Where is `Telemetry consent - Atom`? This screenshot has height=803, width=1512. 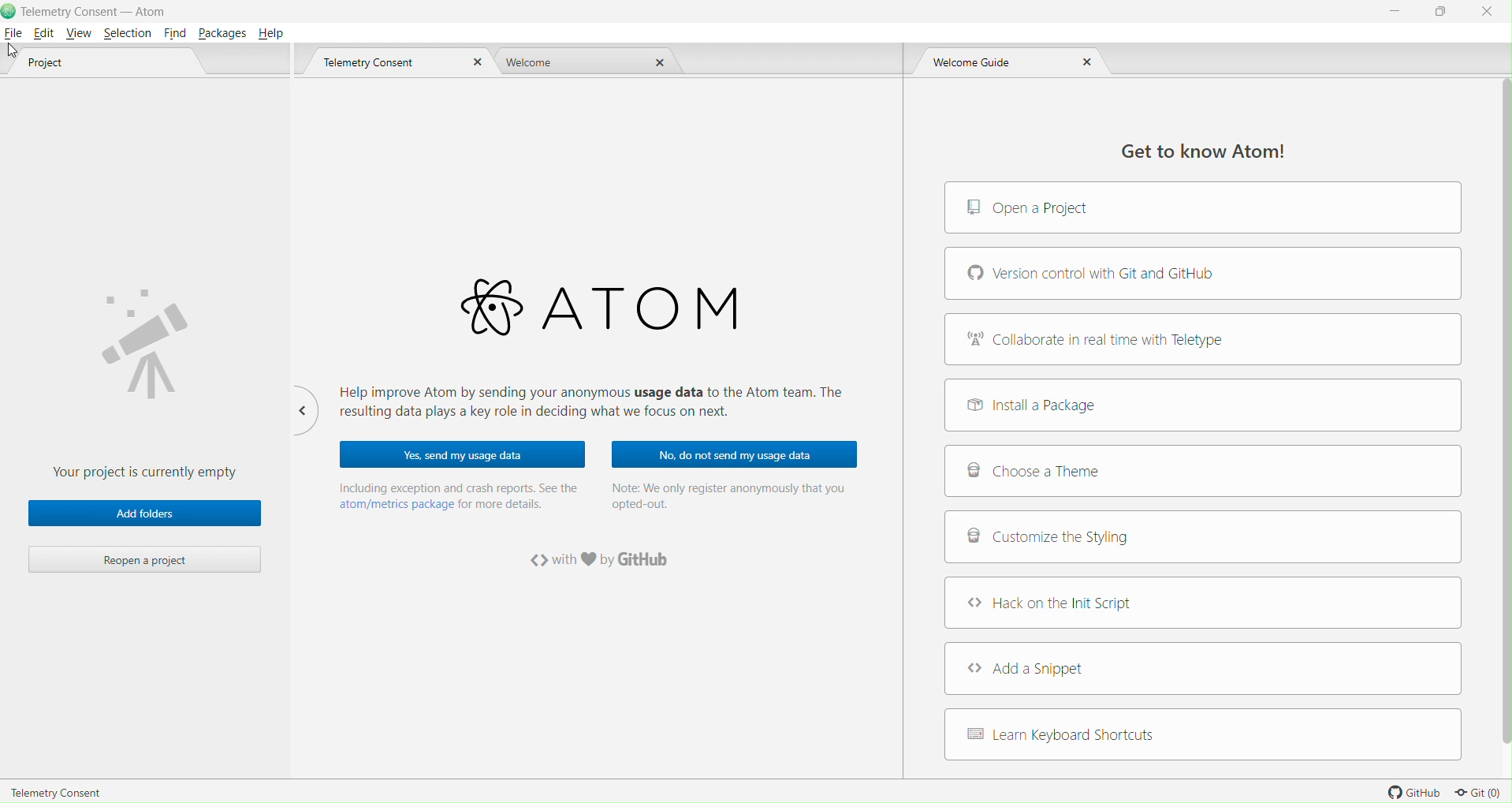 Telemetry consent - Atom is located at coordinates (102, 11).